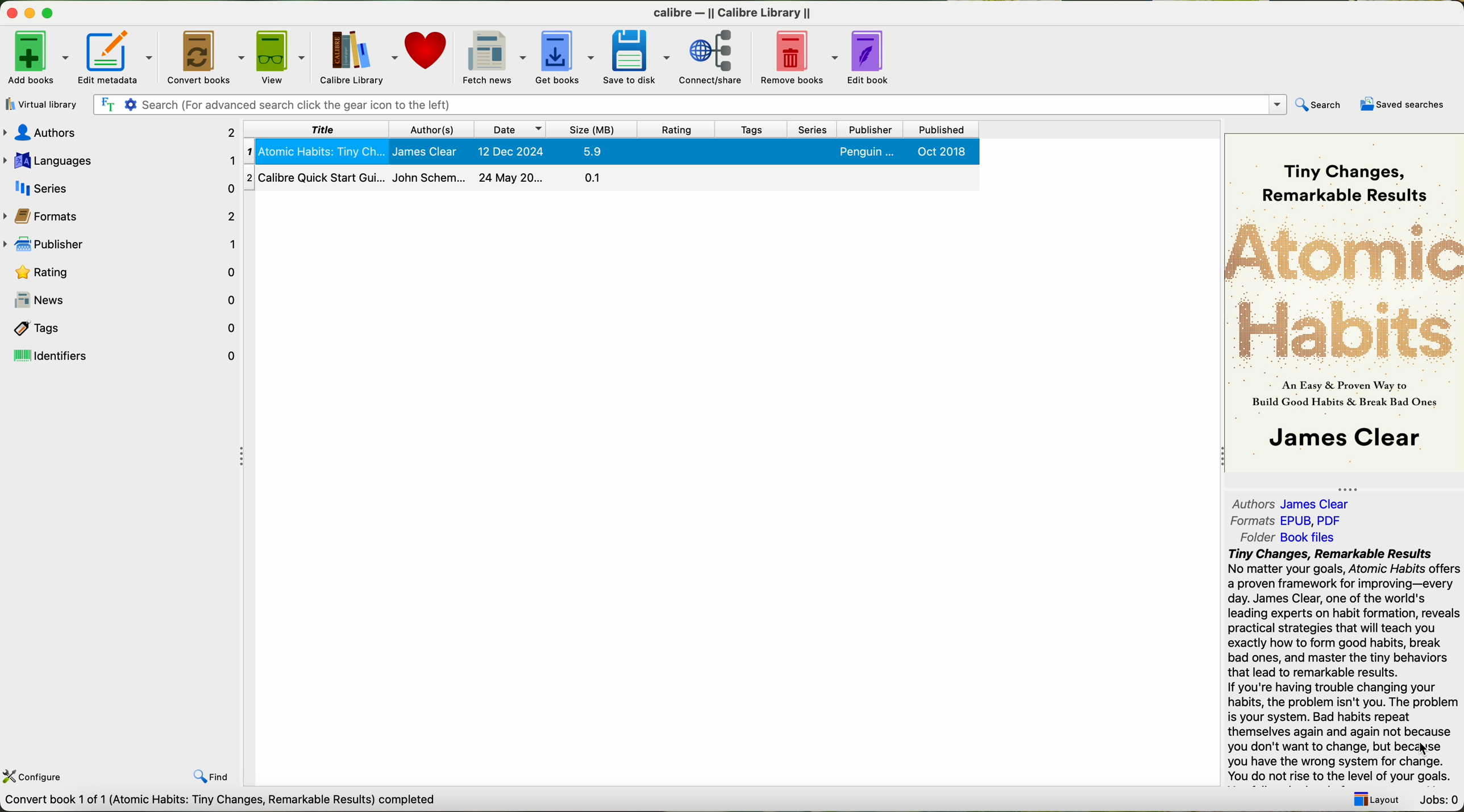 This screenshot has height=812, width=1464. Describe the element at coordinates (123, 297) in the screenshot. I see `news` at that location.